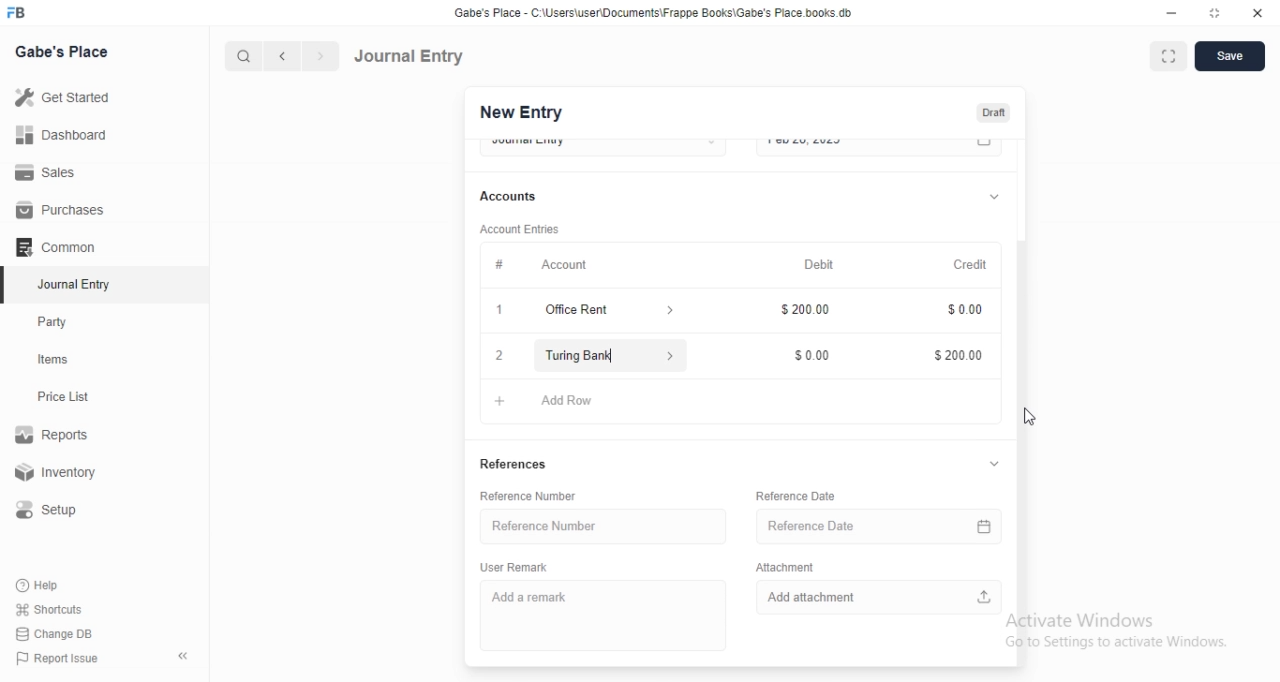  Describe the element at coordinates (804, 355) in the screenshot. I see `$0.00` at that location.